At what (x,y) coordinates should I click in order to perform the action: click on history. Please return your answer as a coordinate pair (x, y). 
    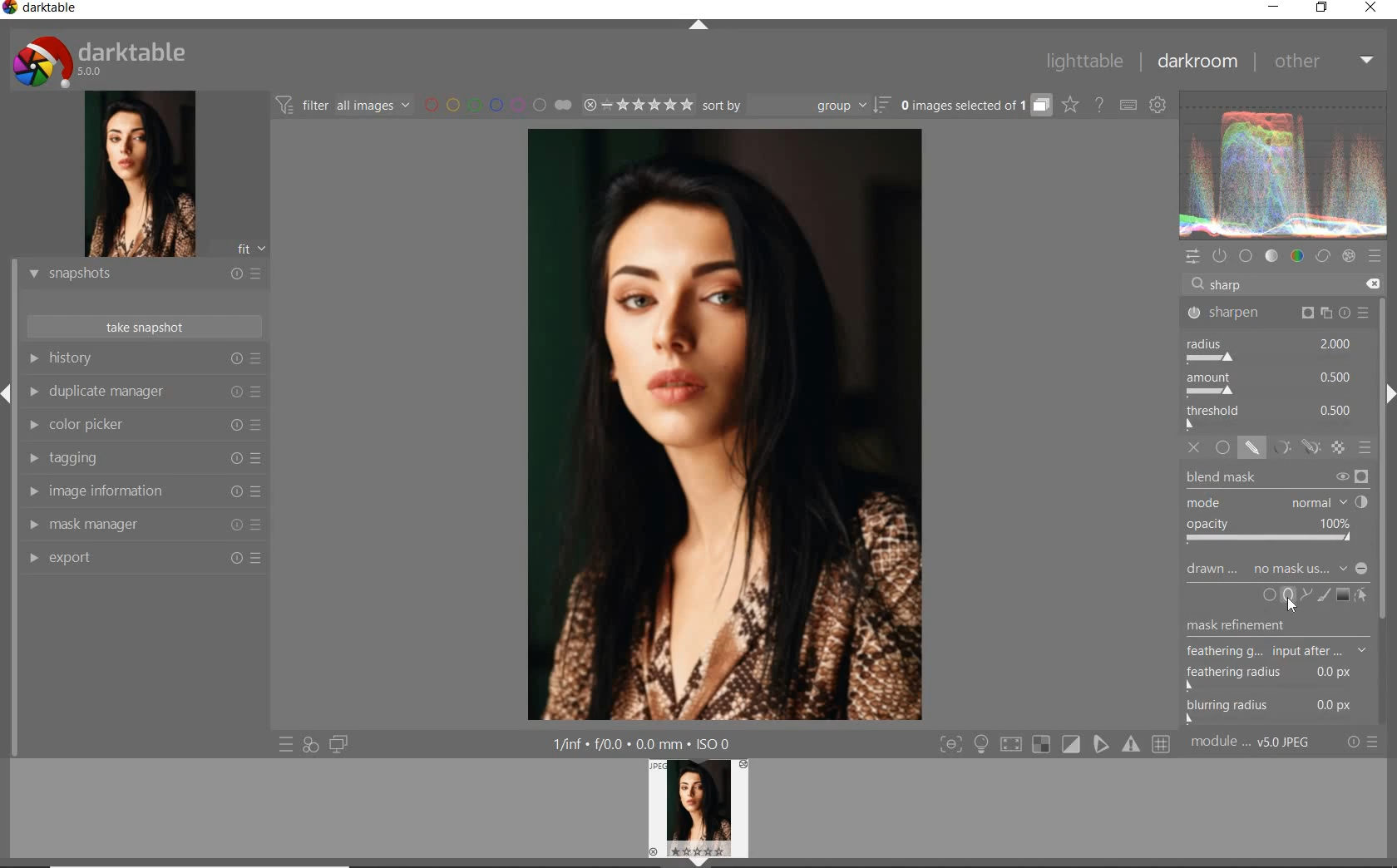
    Looking at the image, I should click on (146, 358).